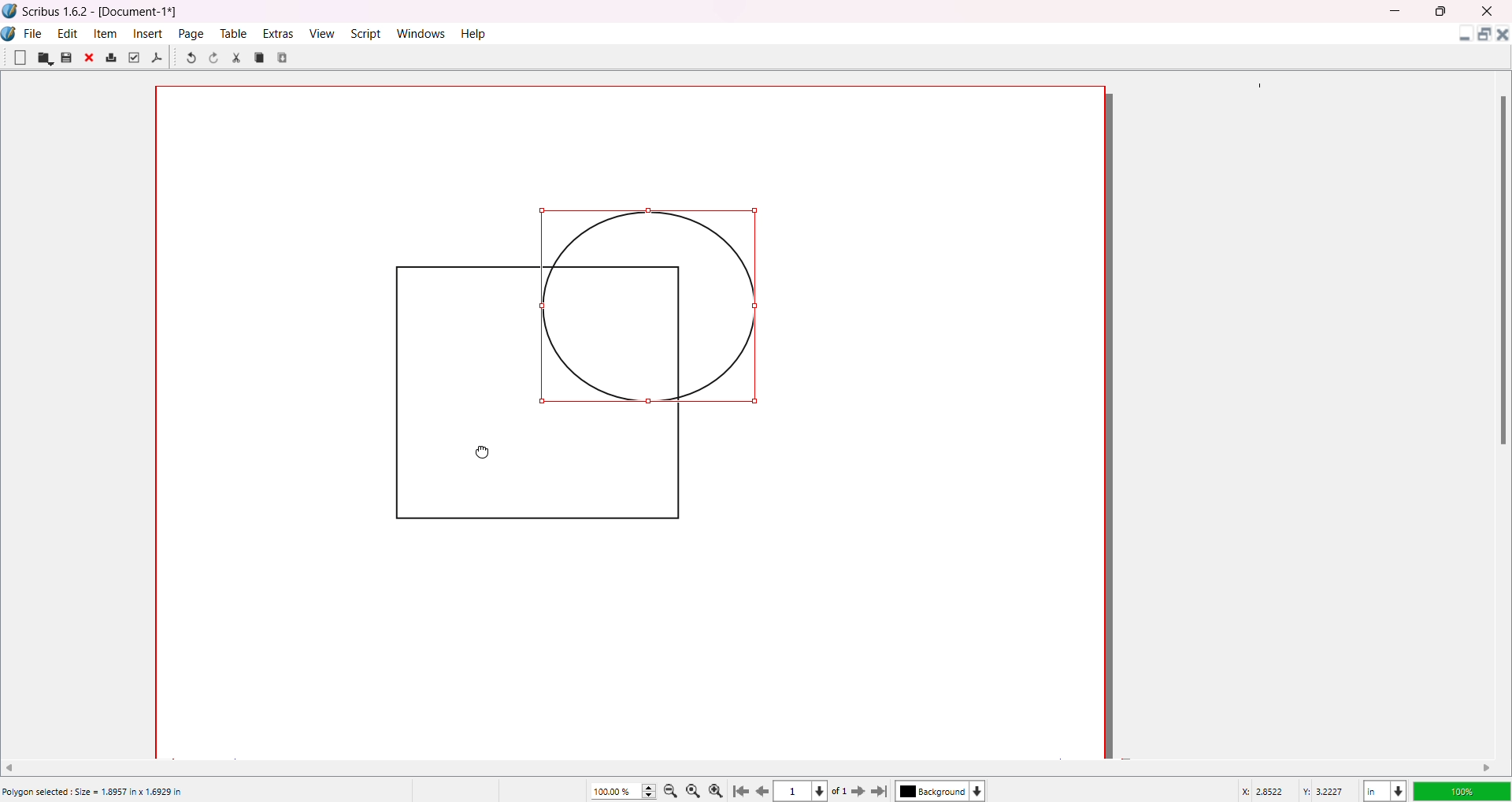 The height and width of the screenshot is (802, 1512). Describe the element at coordinates (20, 57) in the screenshot. I see `New` at that location.